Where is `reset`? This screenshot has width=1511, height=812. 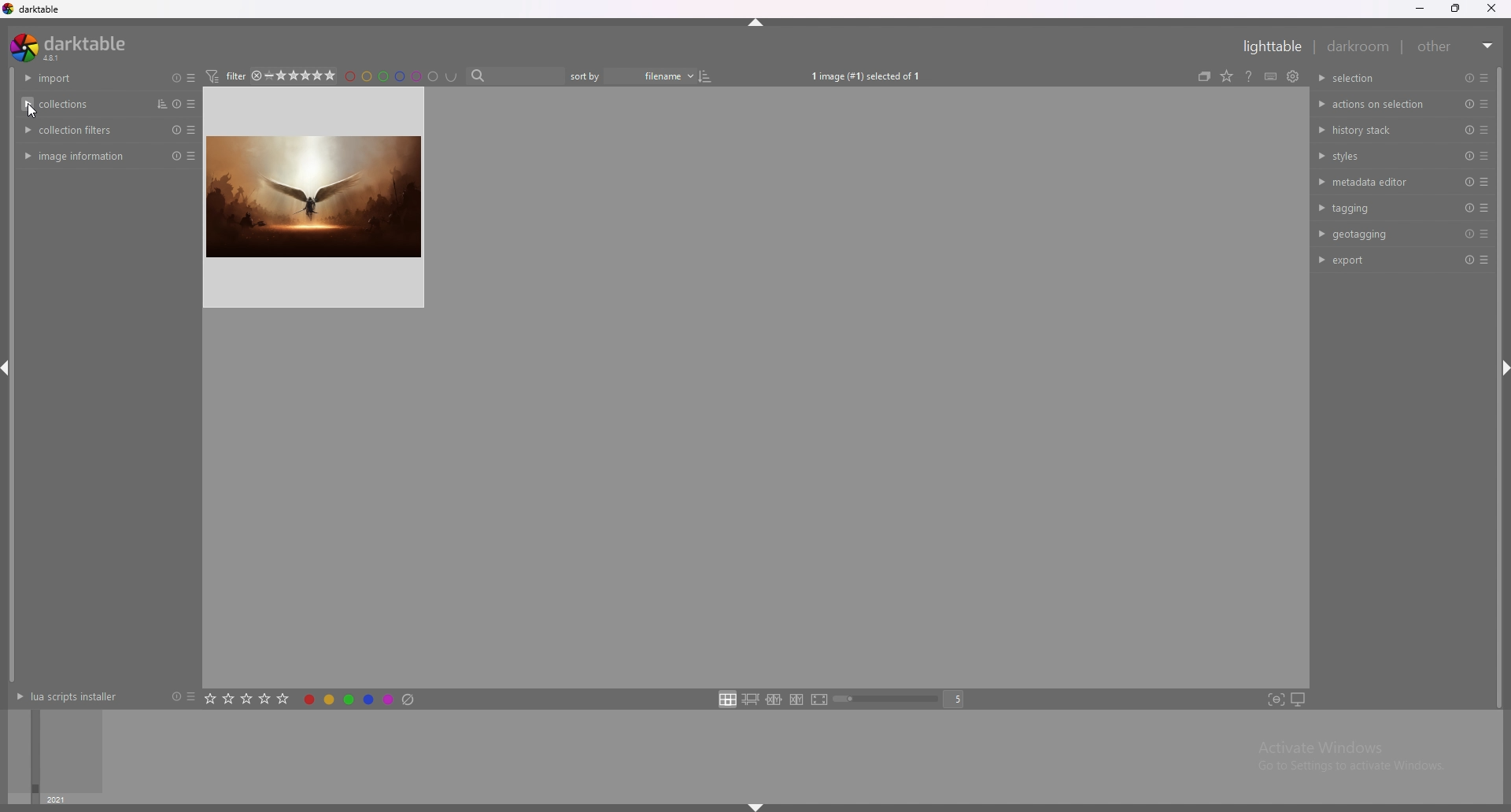
reset is located at coordinates (1468, 260).